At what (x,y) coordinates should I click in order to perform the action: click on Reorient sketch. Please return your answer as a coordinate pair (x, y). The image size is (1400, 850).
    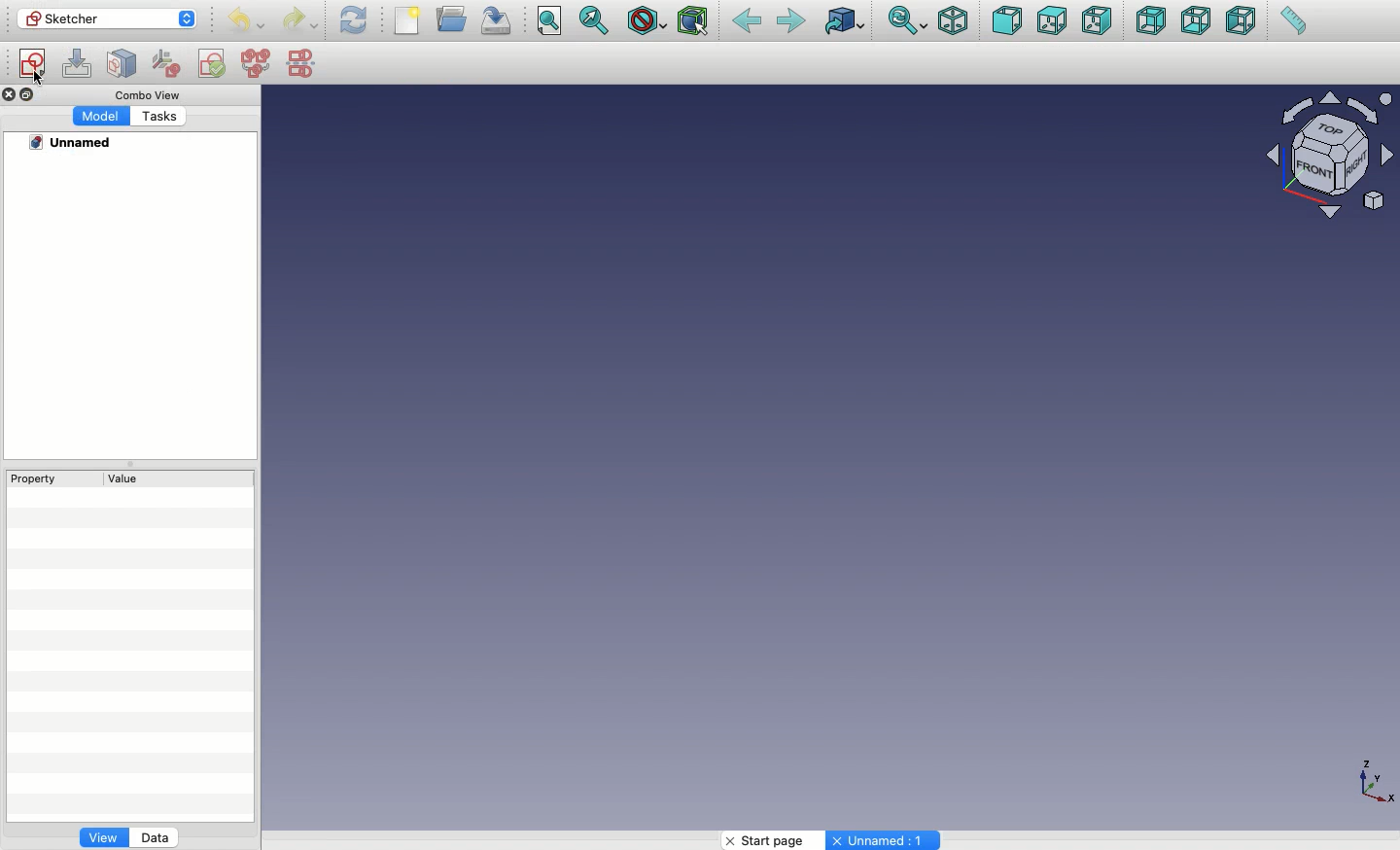
    Looking at the image, I should click on (168, 61).